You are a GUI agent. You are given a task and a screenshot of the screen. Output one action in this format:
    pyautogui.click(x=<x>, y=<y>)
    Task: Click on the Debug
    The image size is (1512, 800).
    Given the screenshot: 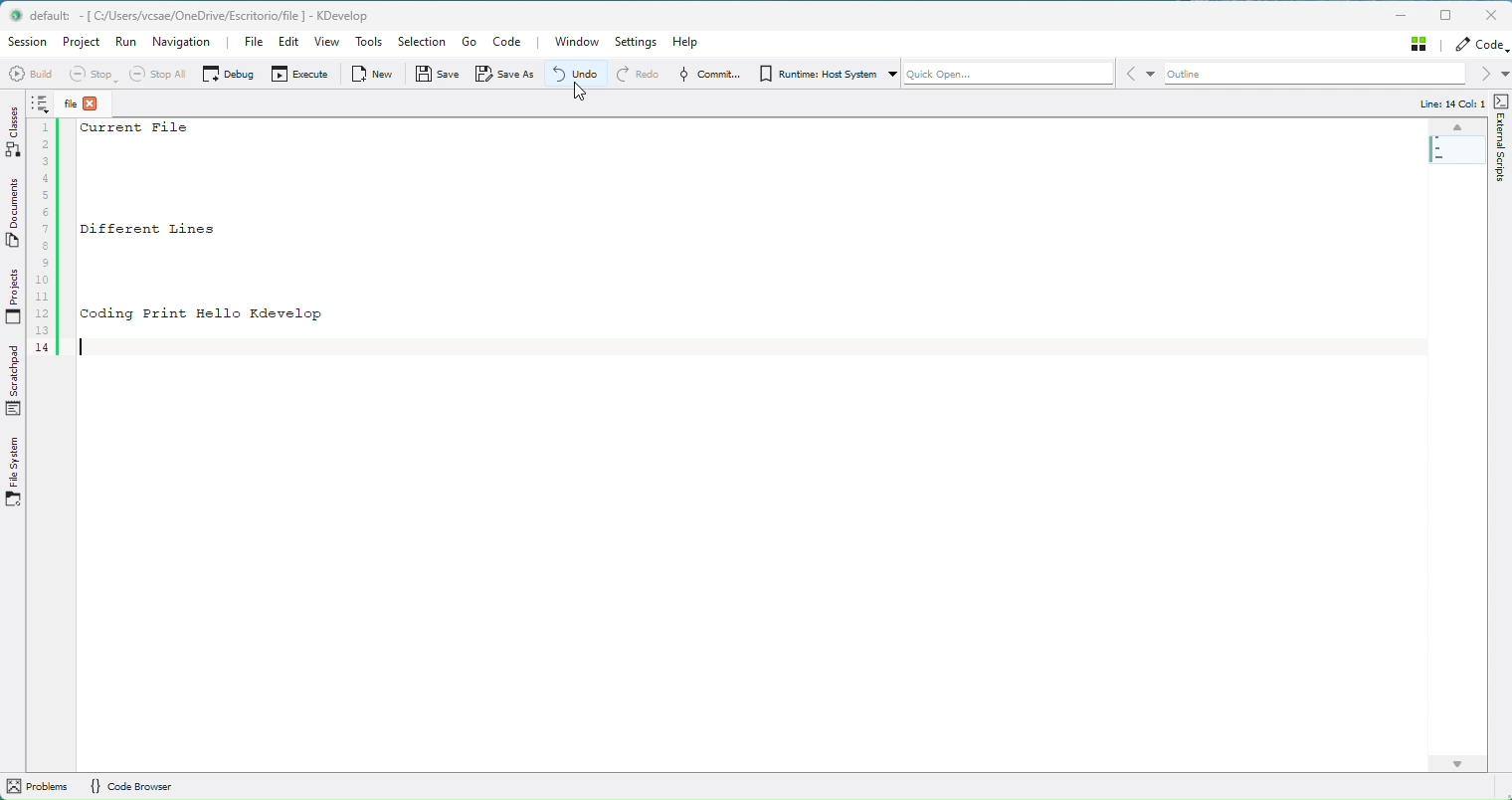 What is the action you would take?
    pyautogui.click(x=230, y=74)
    